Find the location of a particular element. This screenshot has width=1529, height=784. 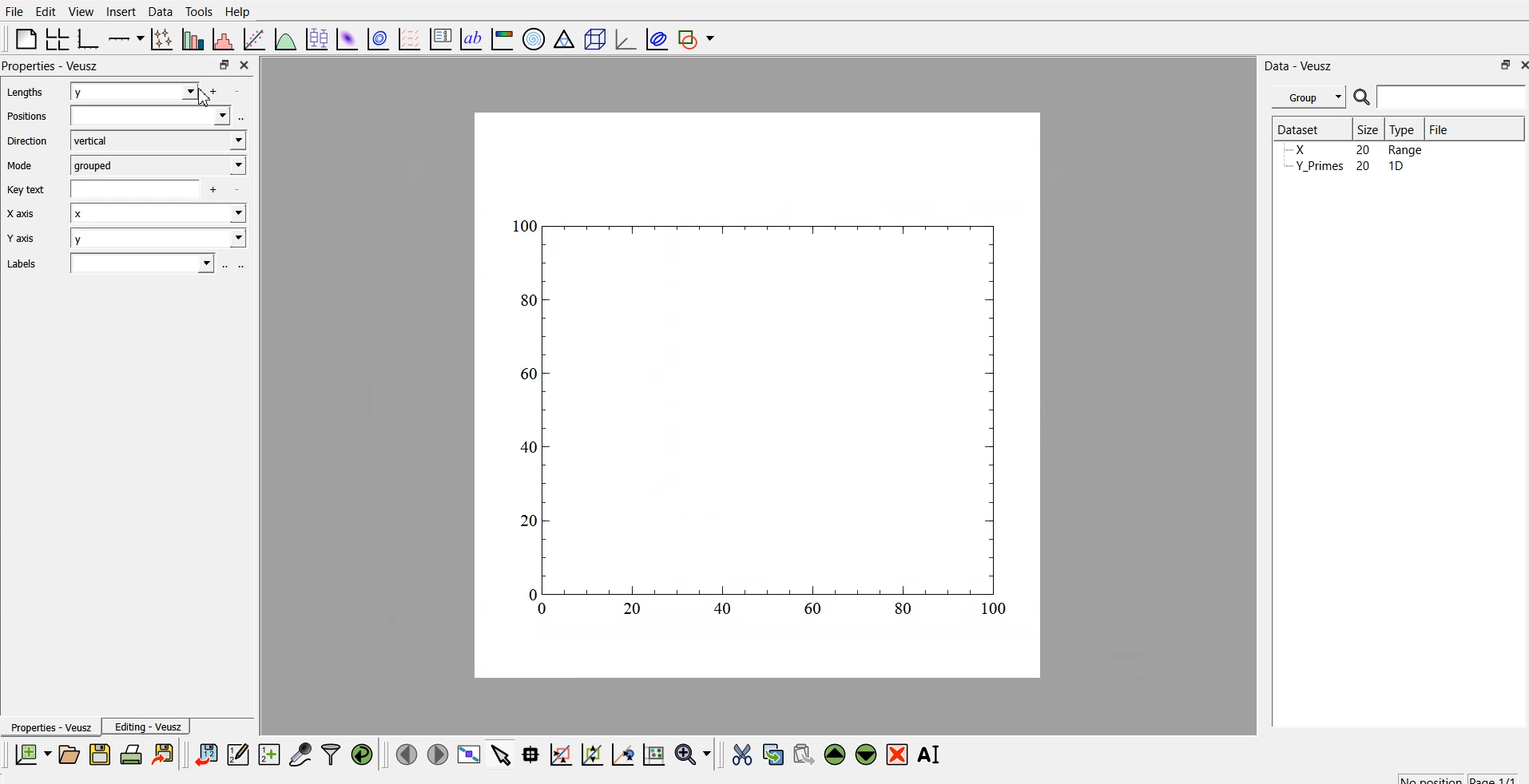

reset graph axes is located at coordinates (653, 752).